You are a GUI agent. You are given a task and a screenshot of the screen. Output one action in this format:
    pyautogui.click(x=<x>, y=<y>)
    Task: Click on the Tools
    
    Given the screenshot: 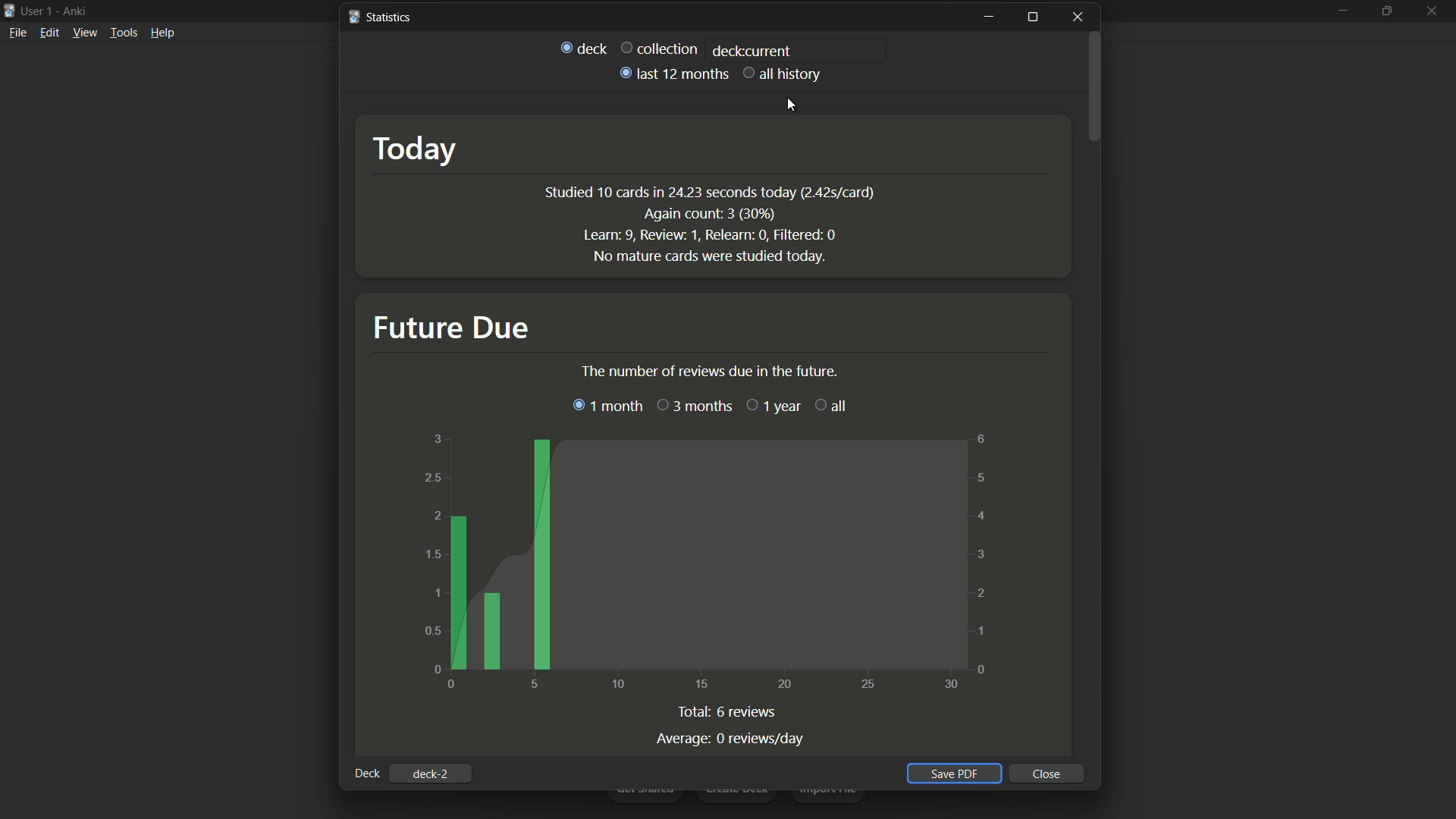 What is the action you would take?
    pyautogui.click(x=124, y=35)
    